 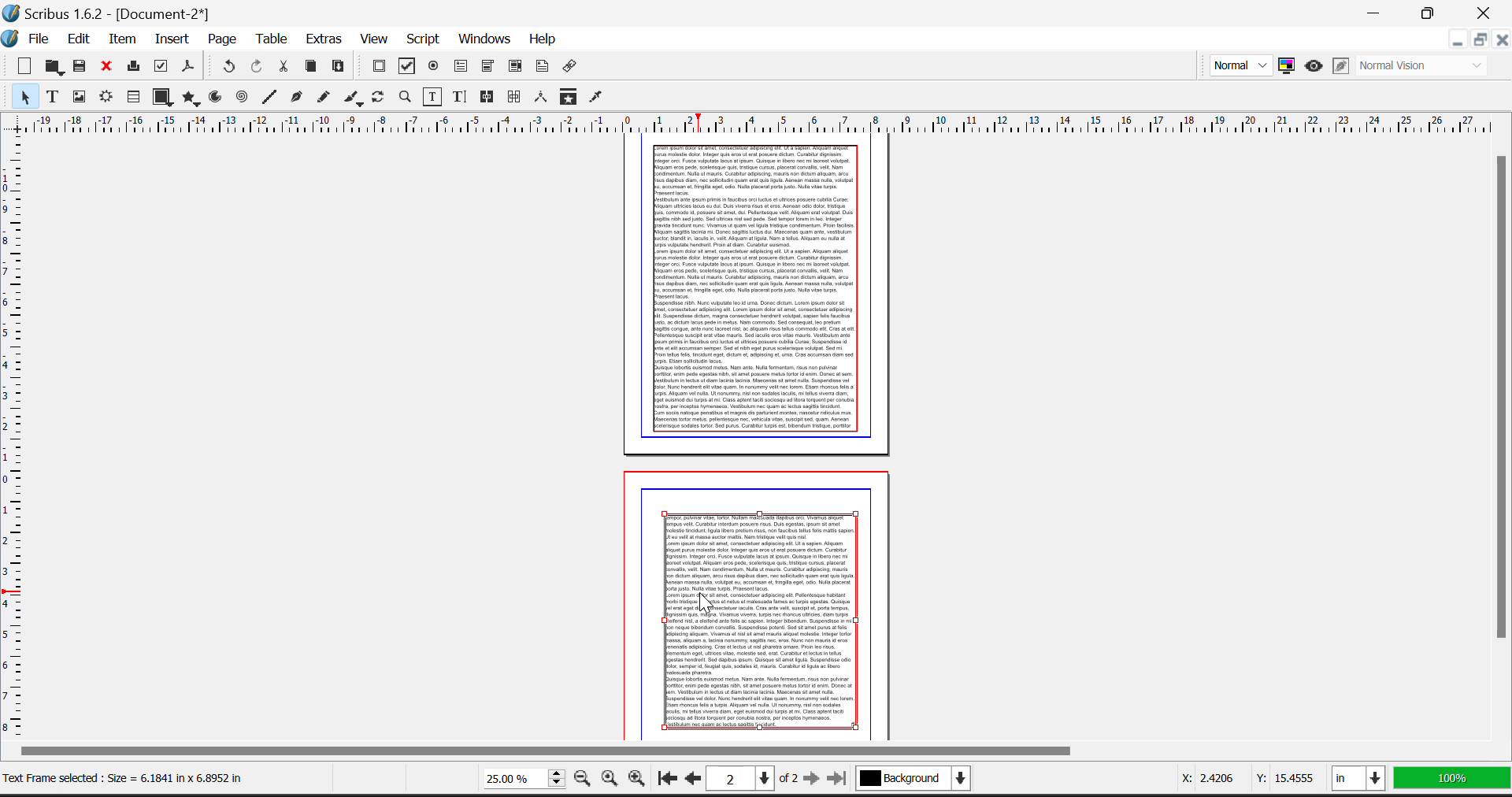 What do you see at coordinates (434, 67) in the screenshot?
I see `PDF Radio Button` at bounding box center [434, 67].